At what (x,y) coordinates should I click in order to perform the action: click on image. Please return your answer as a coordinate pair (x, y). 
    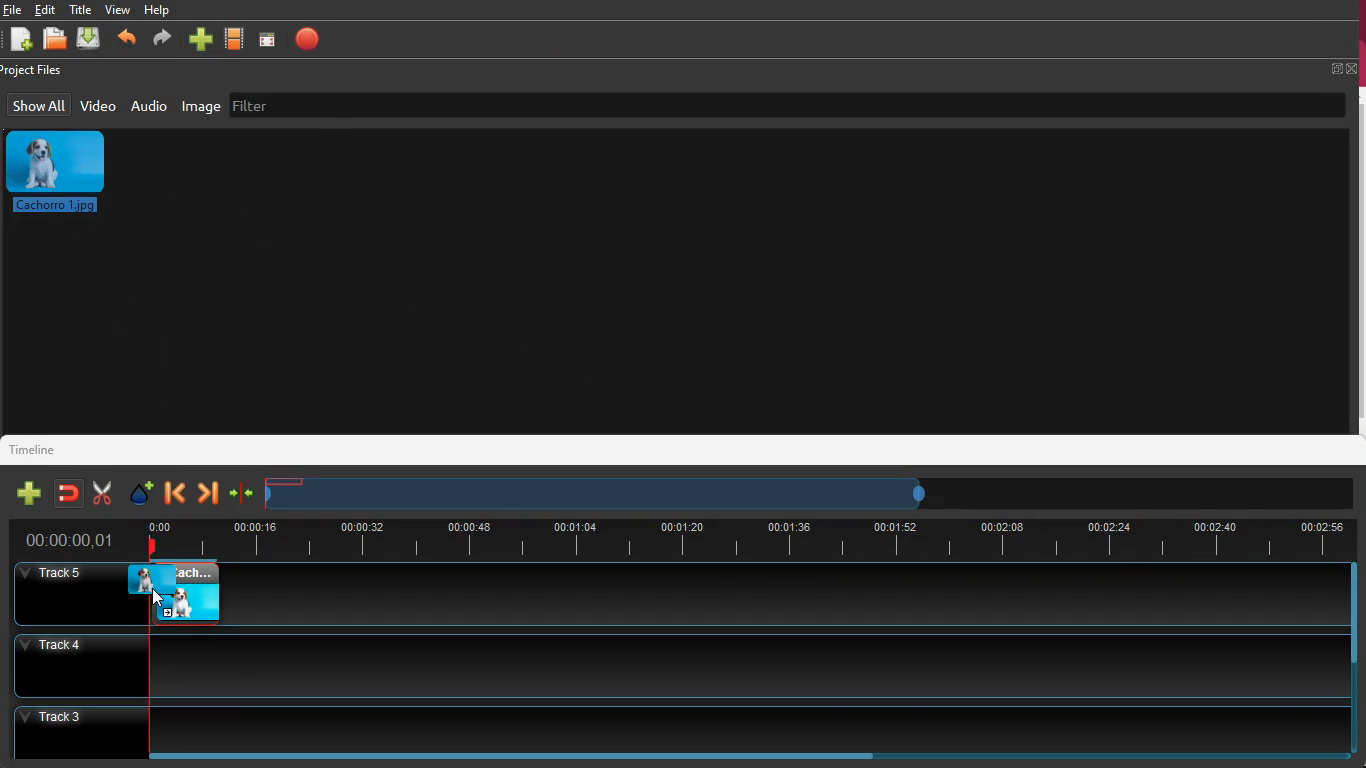
    Looking at the image, I should click on (201, 108).